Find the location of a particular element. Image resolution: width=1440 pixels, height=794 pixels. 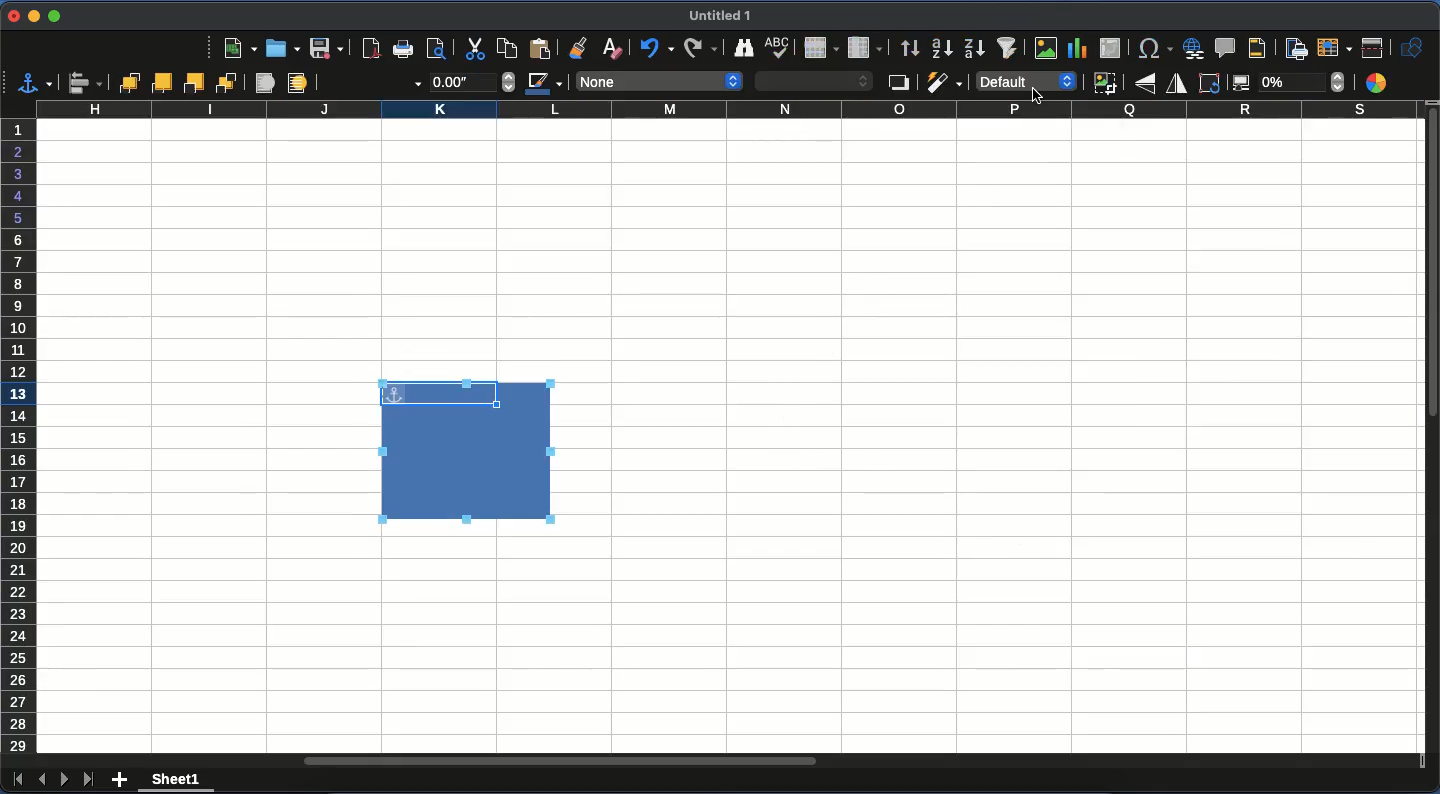

column is located at coordinates (725, 110).